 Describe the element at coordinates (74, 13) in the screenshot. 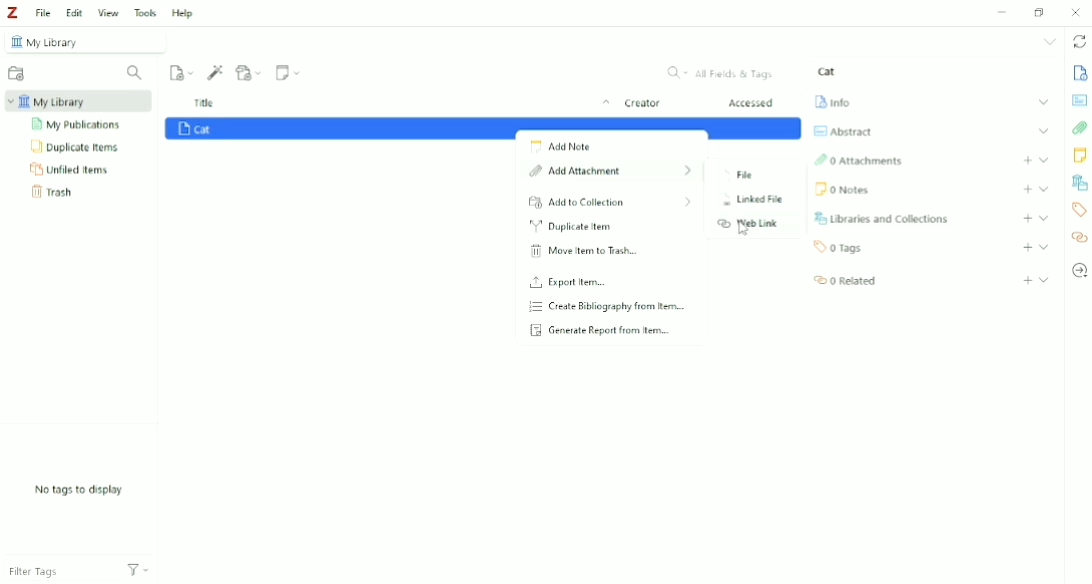

I see `Edit` at that location.